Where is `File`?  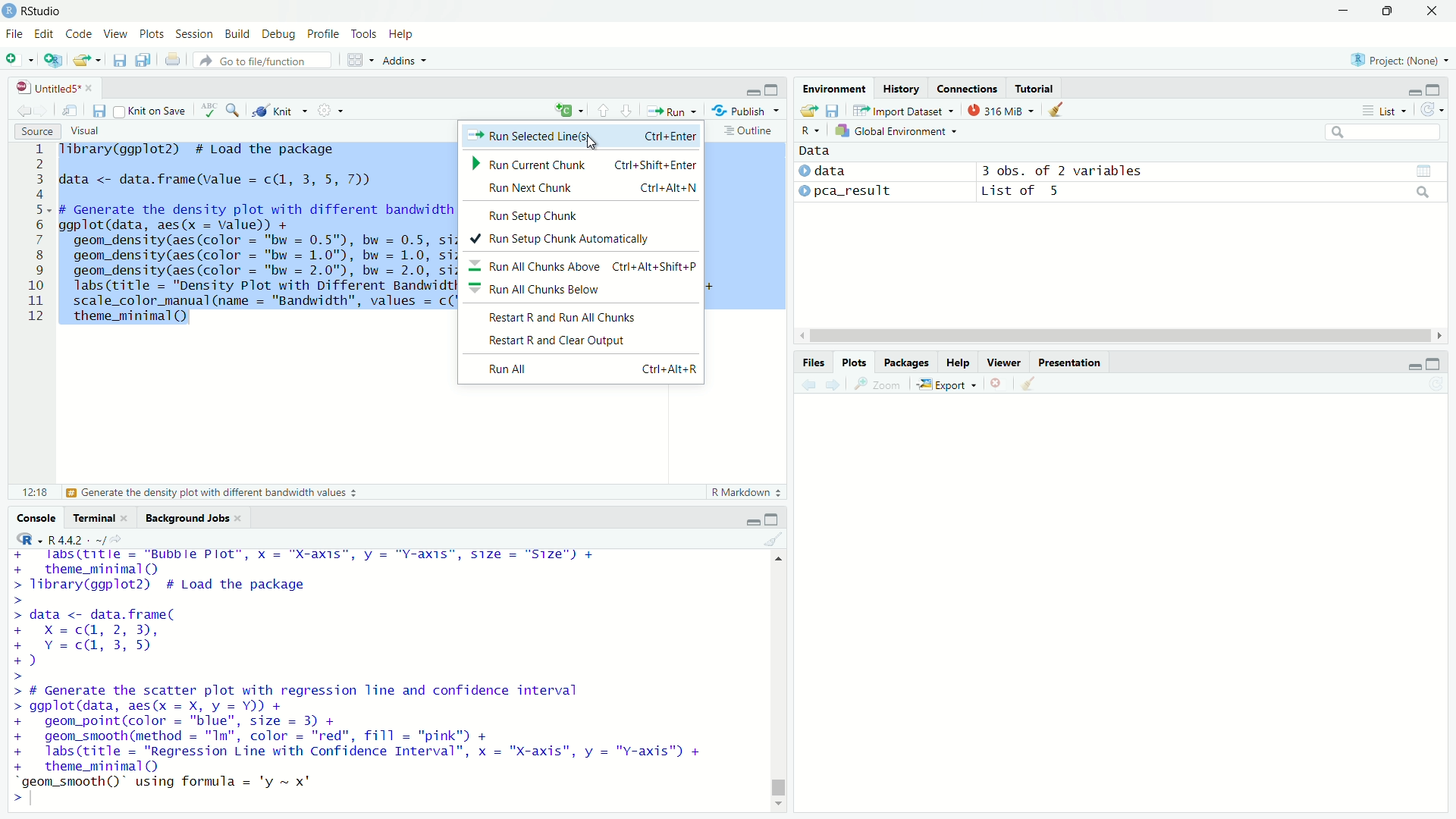 File is located at coordinates (14, 34).